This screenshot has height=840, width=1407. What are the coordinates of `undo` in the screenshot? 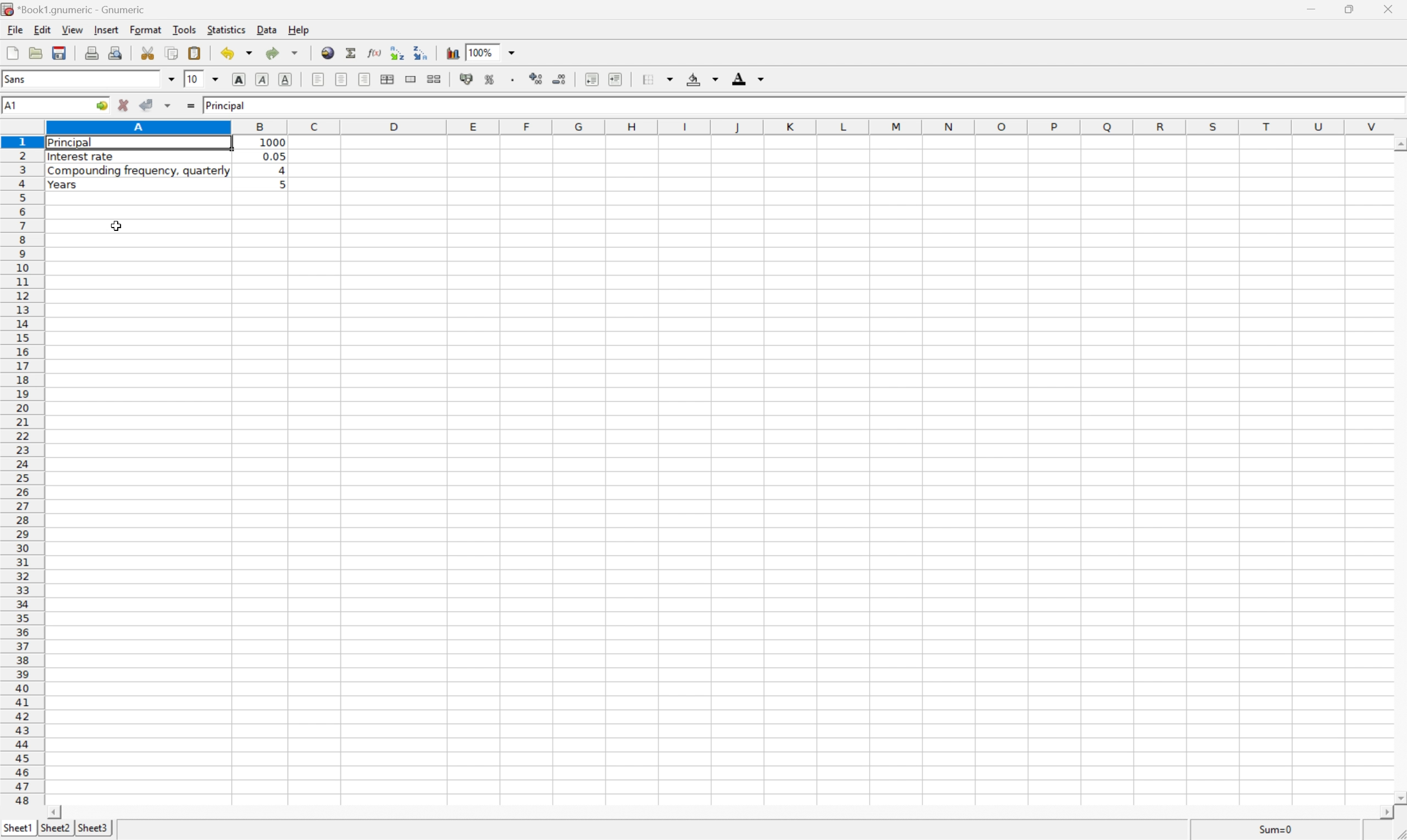 It's located at (236, 53).